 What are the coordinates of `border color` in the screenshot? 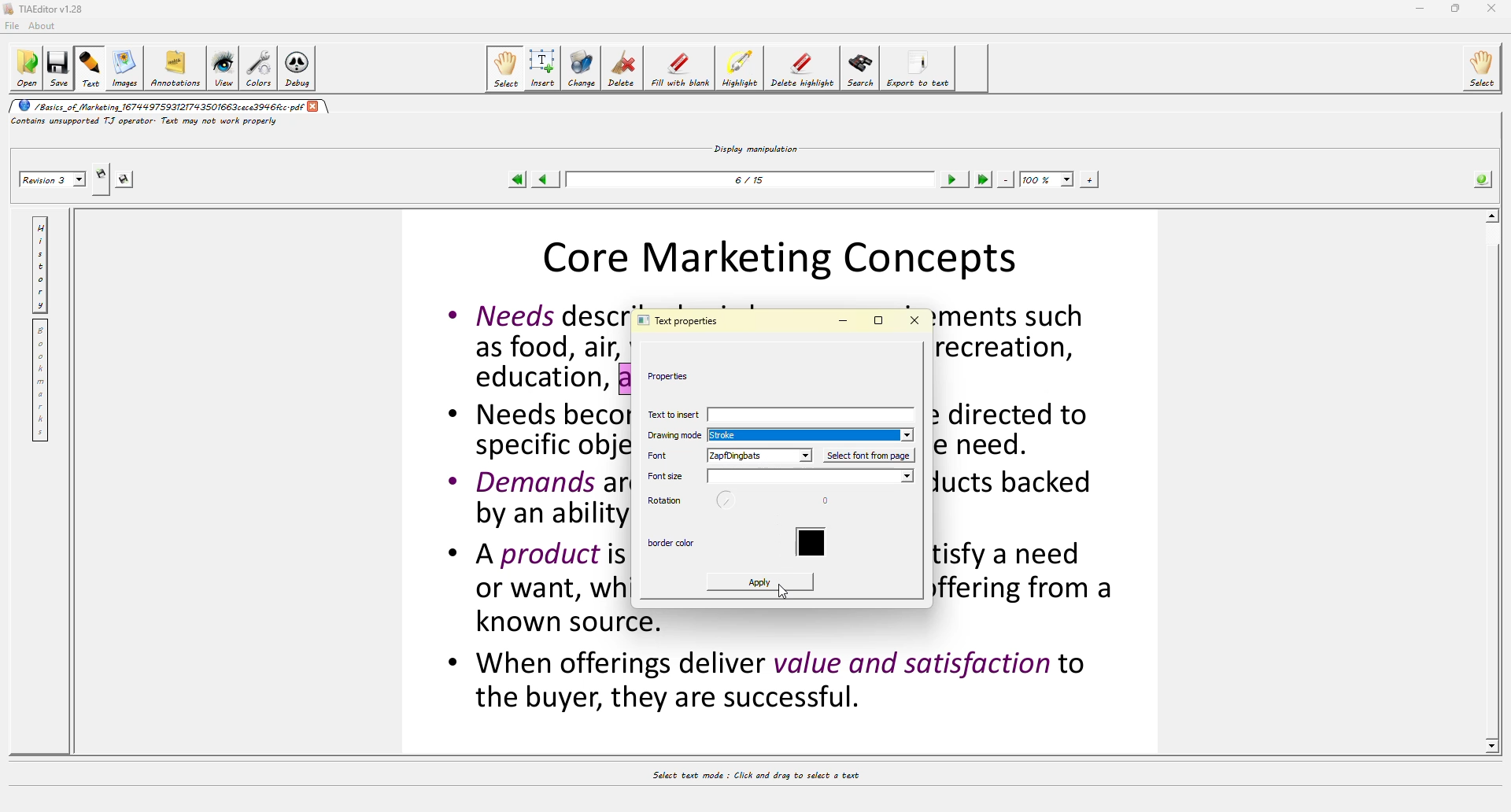 It's located at (814, 544).